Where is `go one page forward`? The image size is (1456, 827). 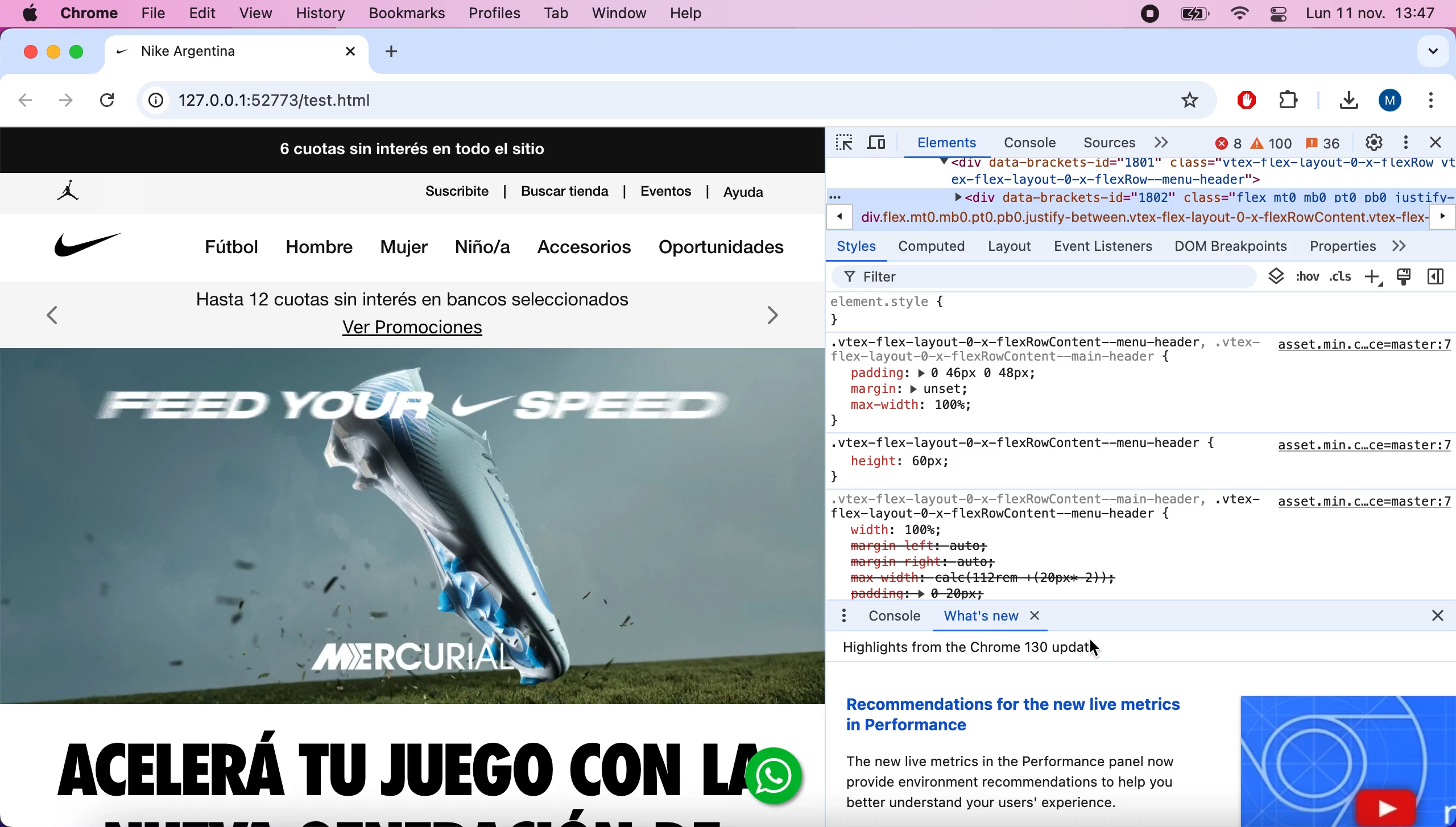
go one page forward is located at coordinates (65, 101).